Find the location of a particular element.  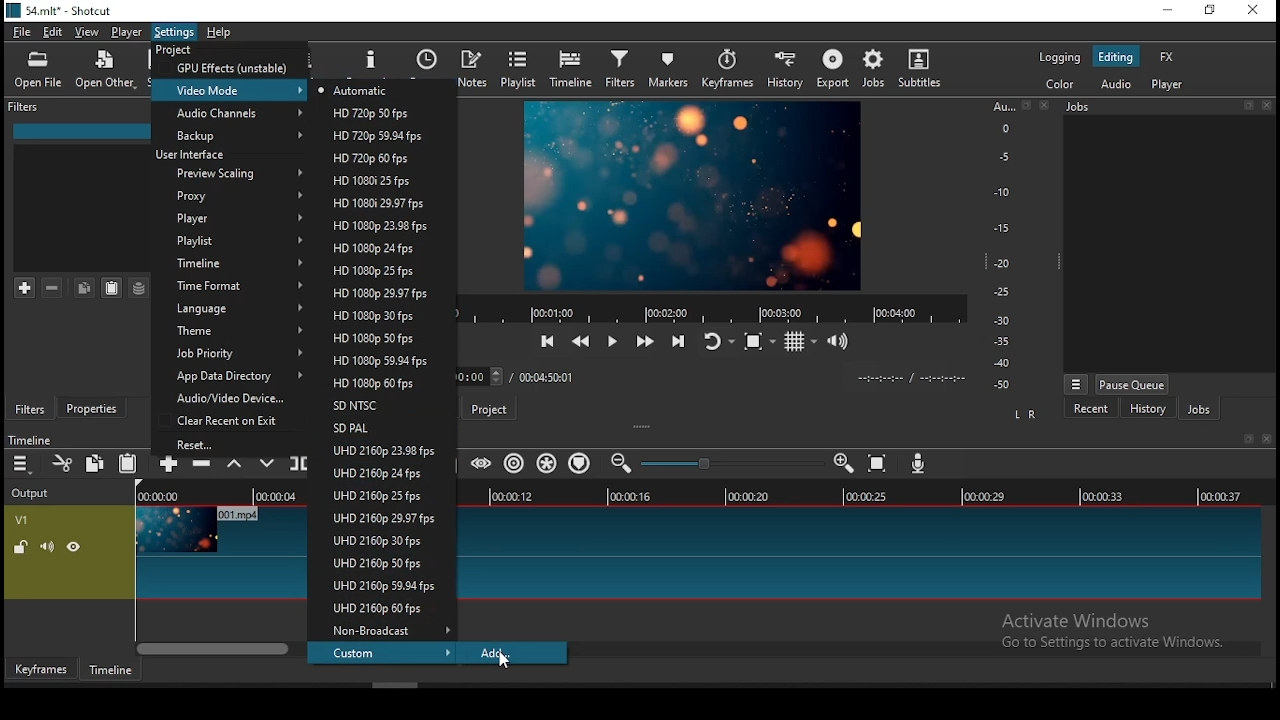

audio/video device is located at coordinates (223, 400).